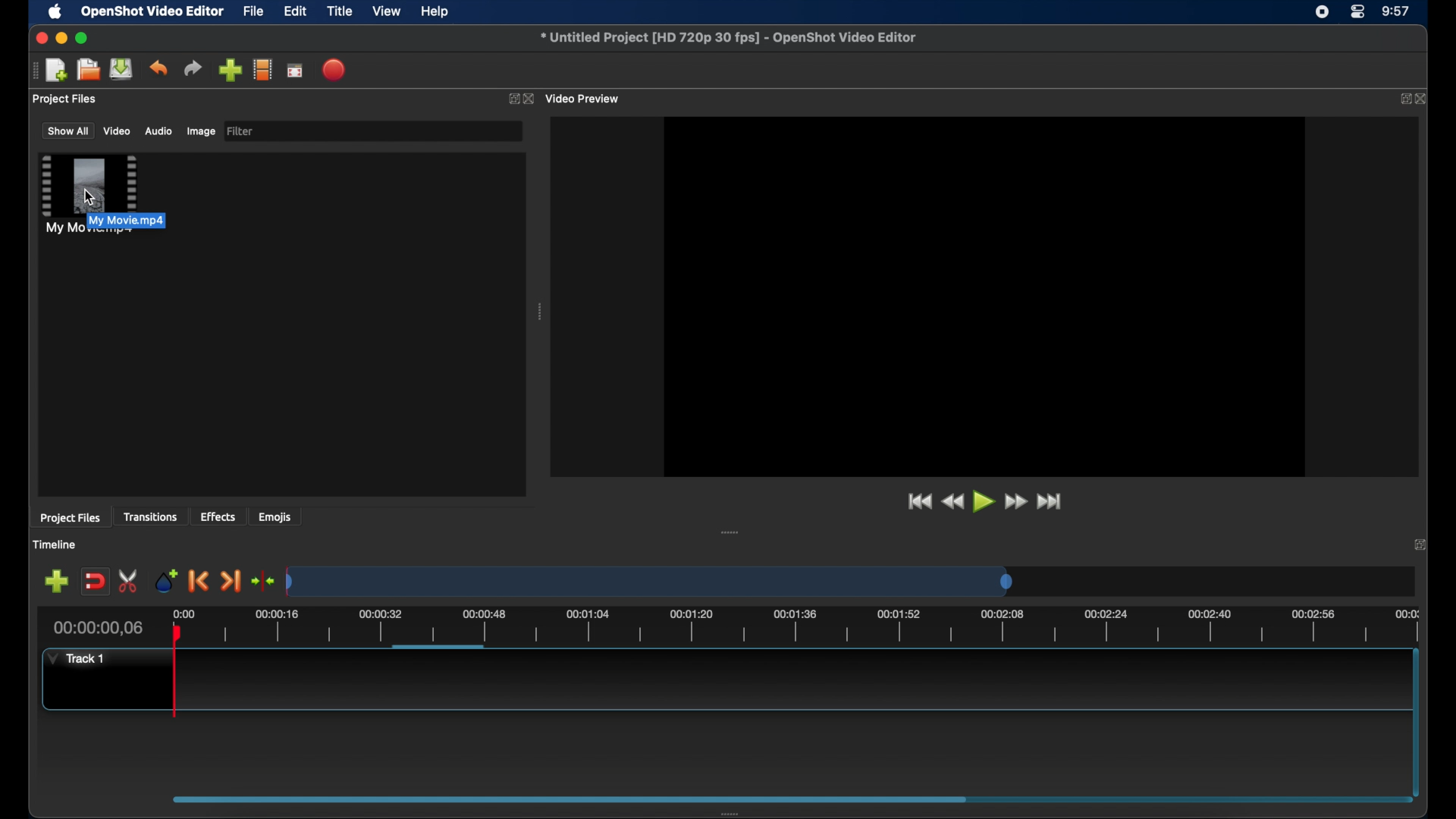 The width and height of the screenshot is (1456, 819). Describe the element at coordinates (82, 38) in the screenshot. I see `maximize` at that location.